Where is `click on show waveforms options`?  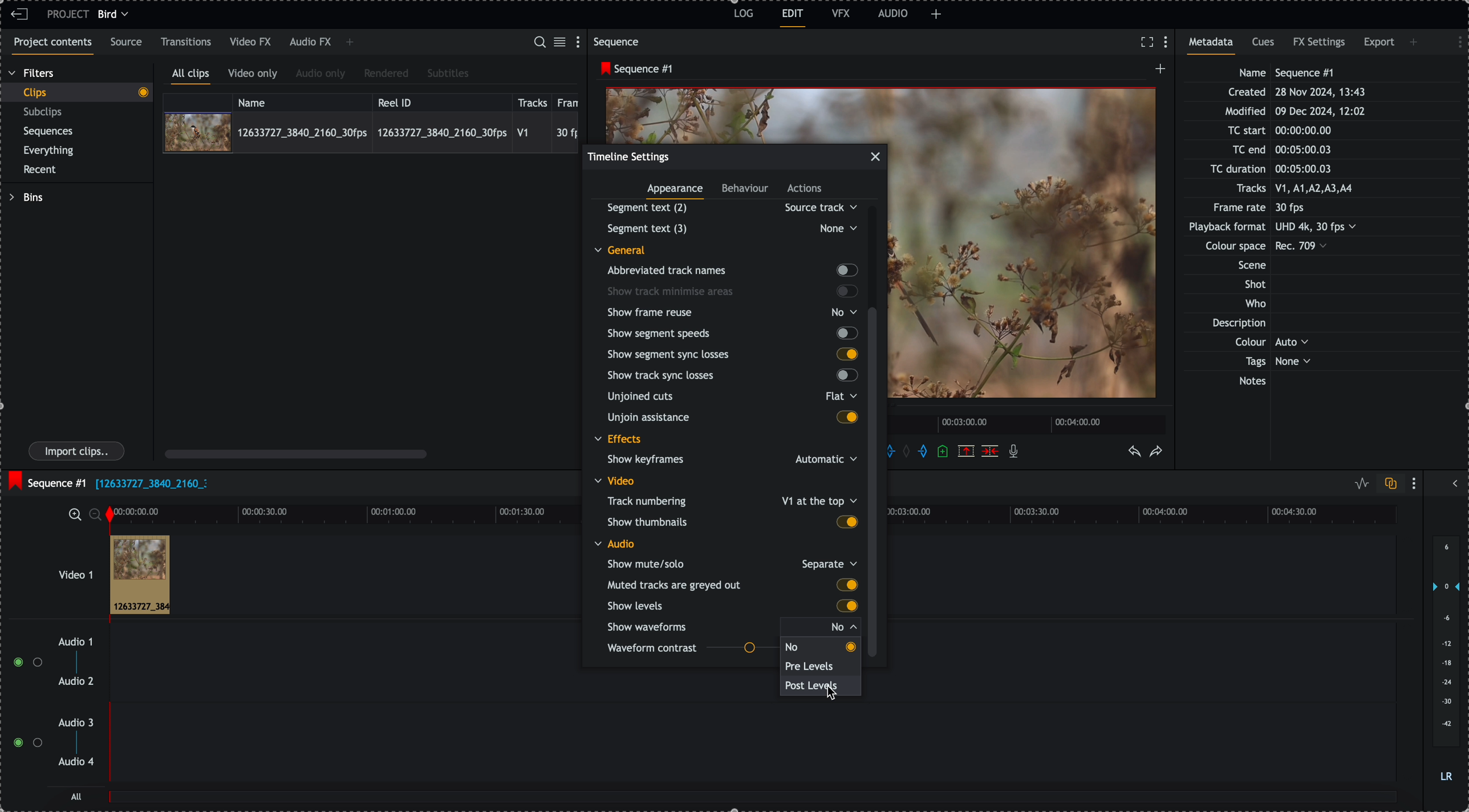
click on show waveforms options is located at coordinates (735, 626).